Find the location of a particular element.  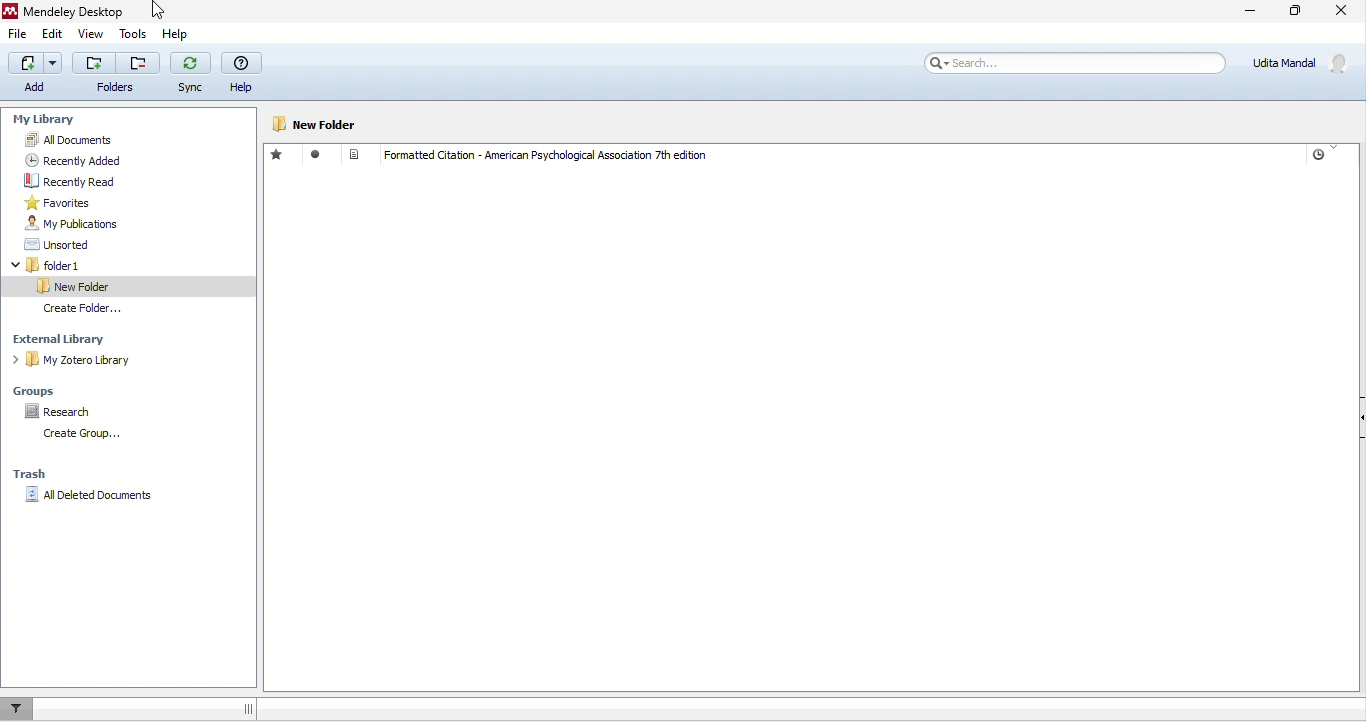

add is located at coordinates (39, 74).